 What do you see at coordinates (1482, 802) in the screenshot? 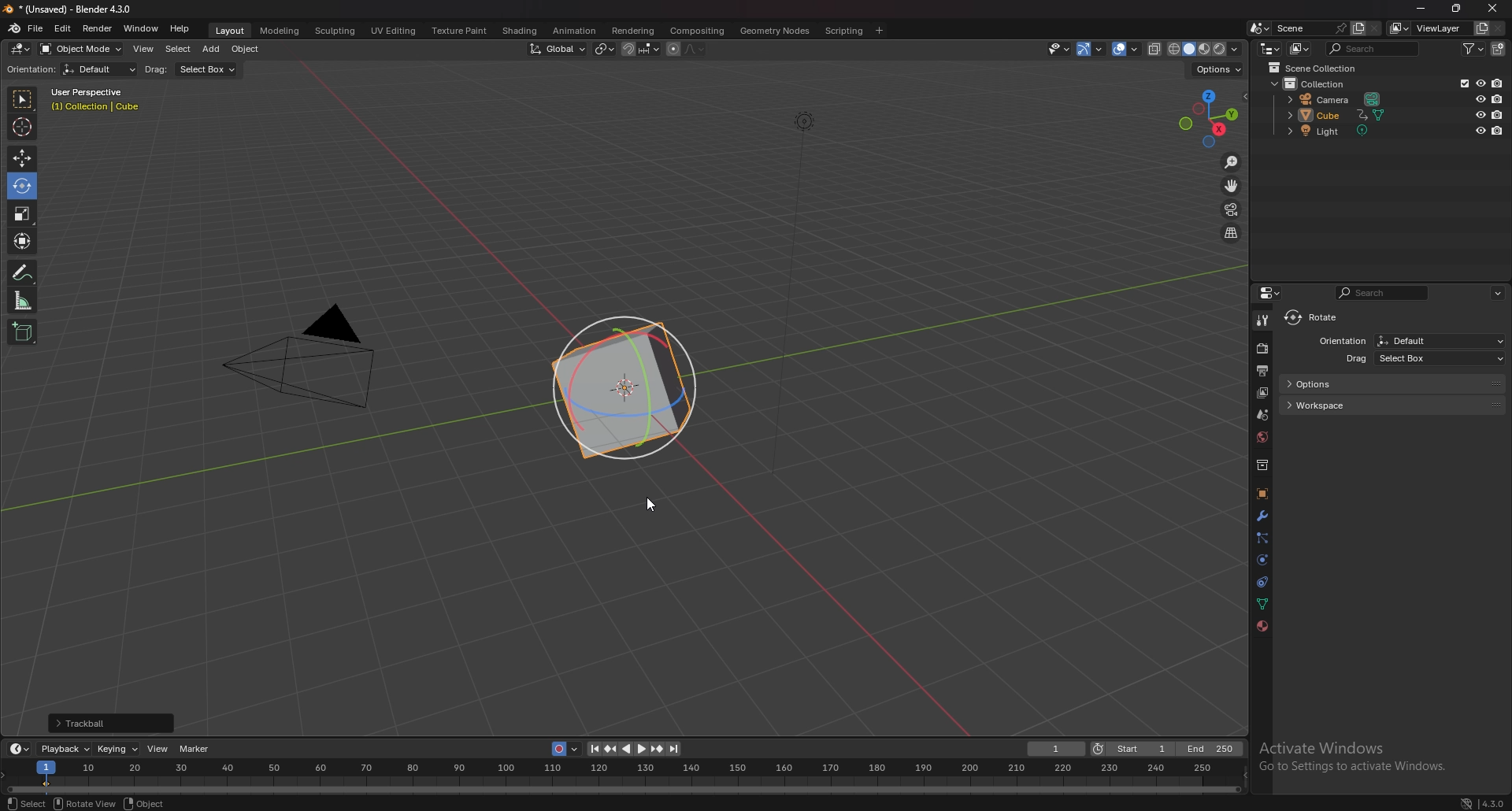
I see `version` at bounding box center [1482, 802].